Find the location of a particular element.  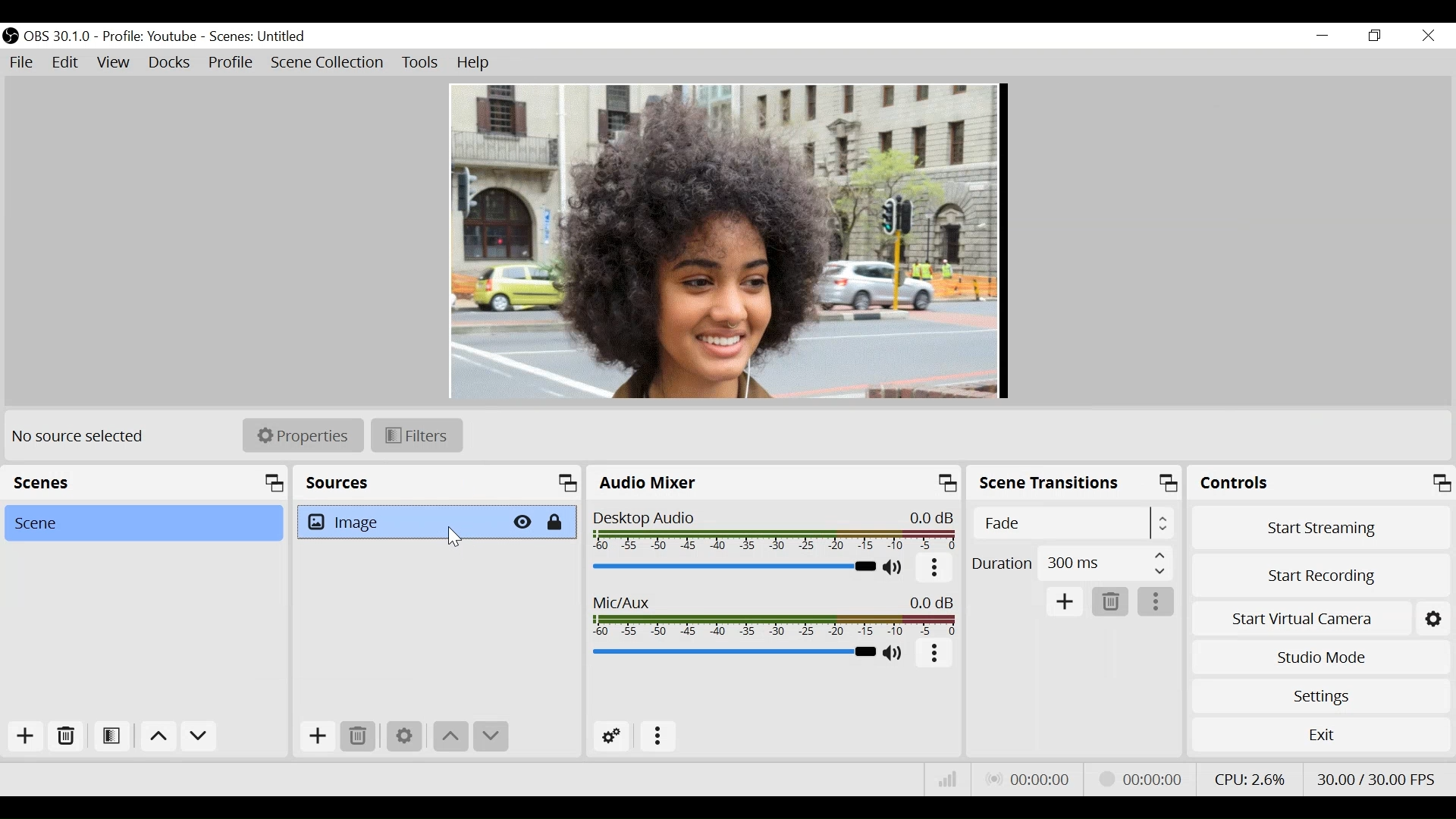

Settings is located at coordinates (404, 736).